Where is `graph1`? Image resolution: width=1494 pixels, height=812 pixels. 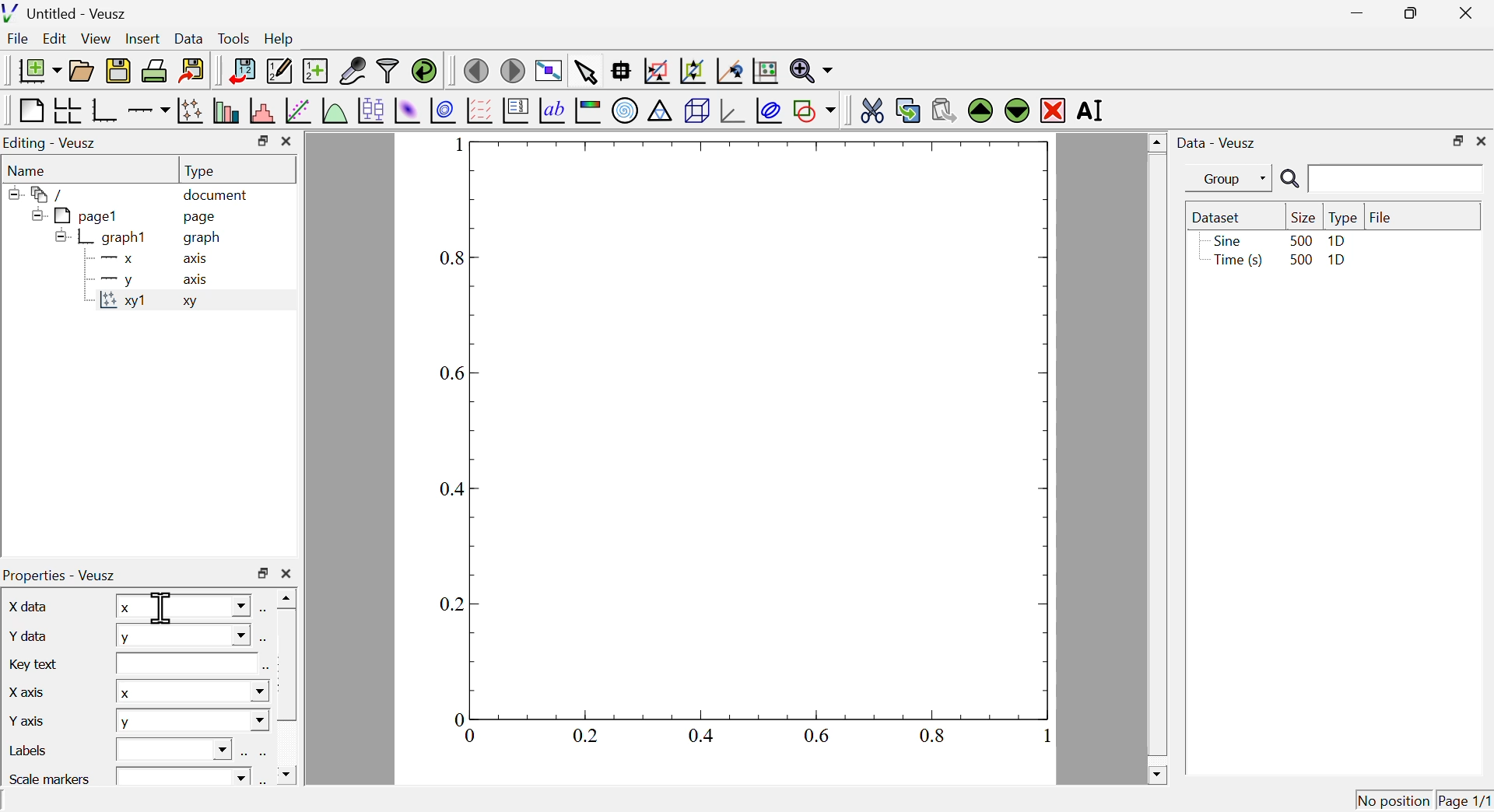 graph1 is located at coordinates (103, 238).